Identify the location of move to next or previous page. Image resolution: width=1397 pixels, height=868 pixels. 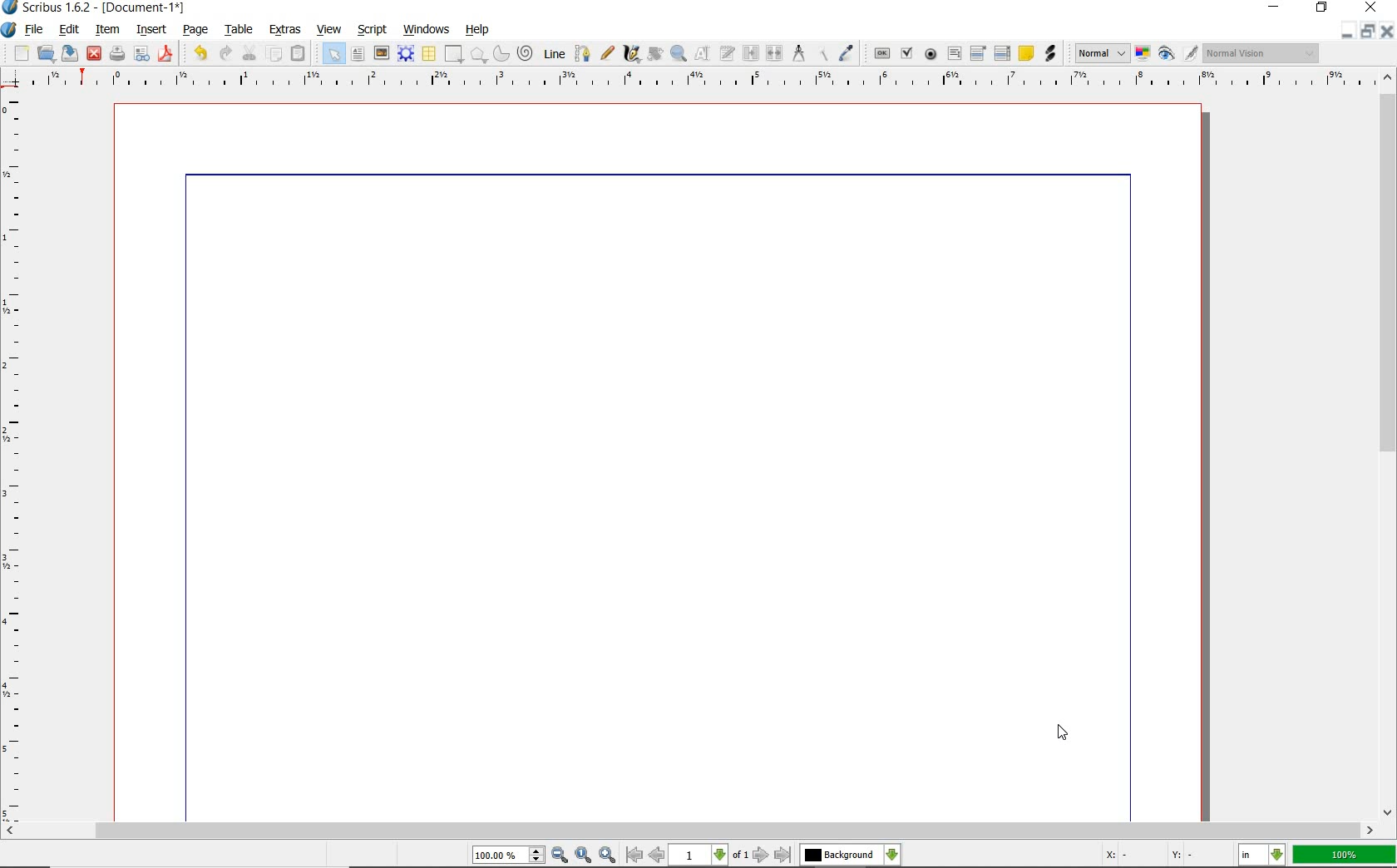
(710, 856).